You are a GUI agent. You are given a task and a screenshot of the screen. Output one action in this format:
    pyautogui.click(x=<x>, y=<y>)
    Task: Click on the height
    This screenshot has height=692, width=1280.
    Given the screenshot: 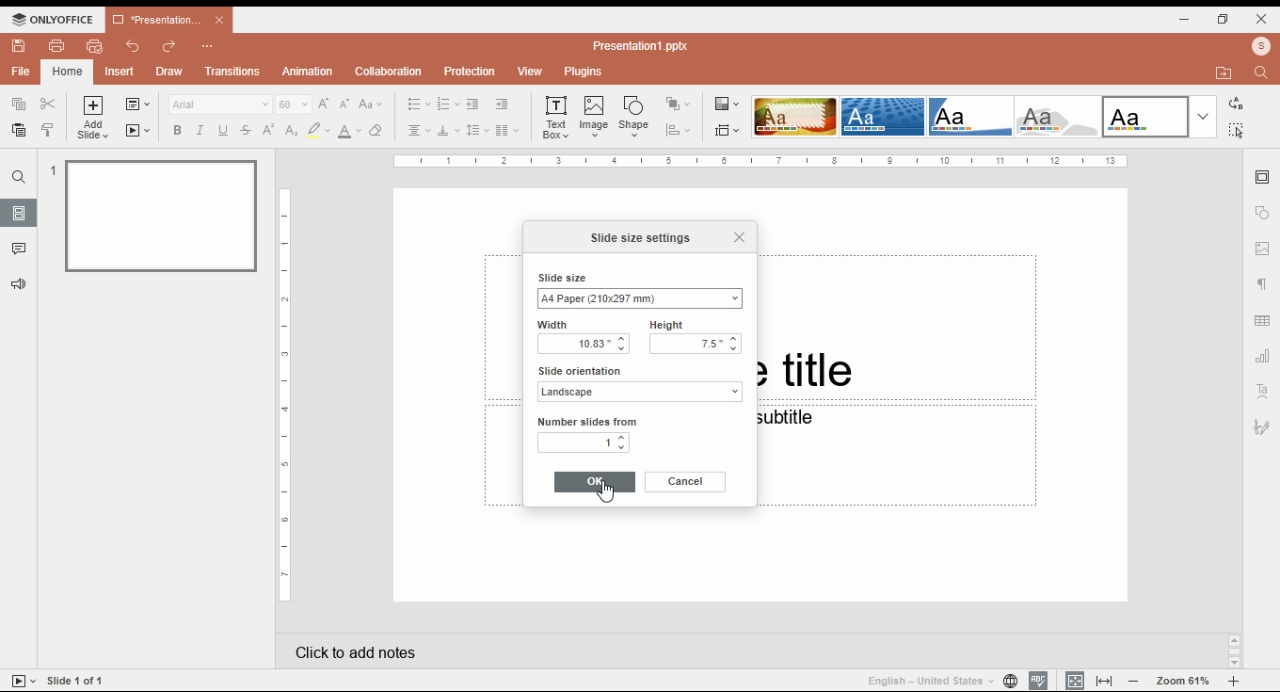 What is the action you would take?
    pyautogui.click(x=695, y=324)
    